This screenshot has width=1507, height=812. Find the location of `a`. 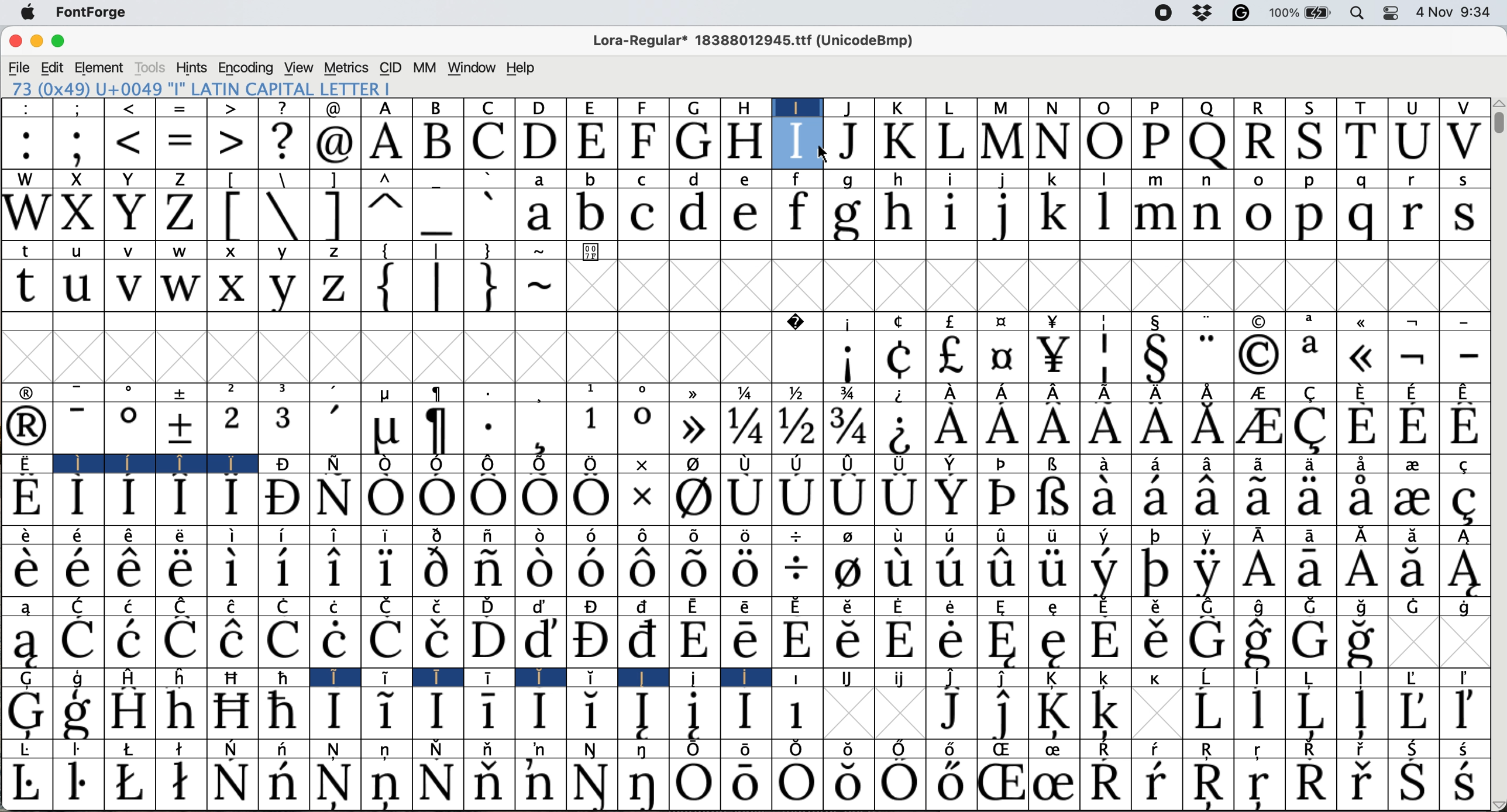

a is located at coordinates (541, 214).